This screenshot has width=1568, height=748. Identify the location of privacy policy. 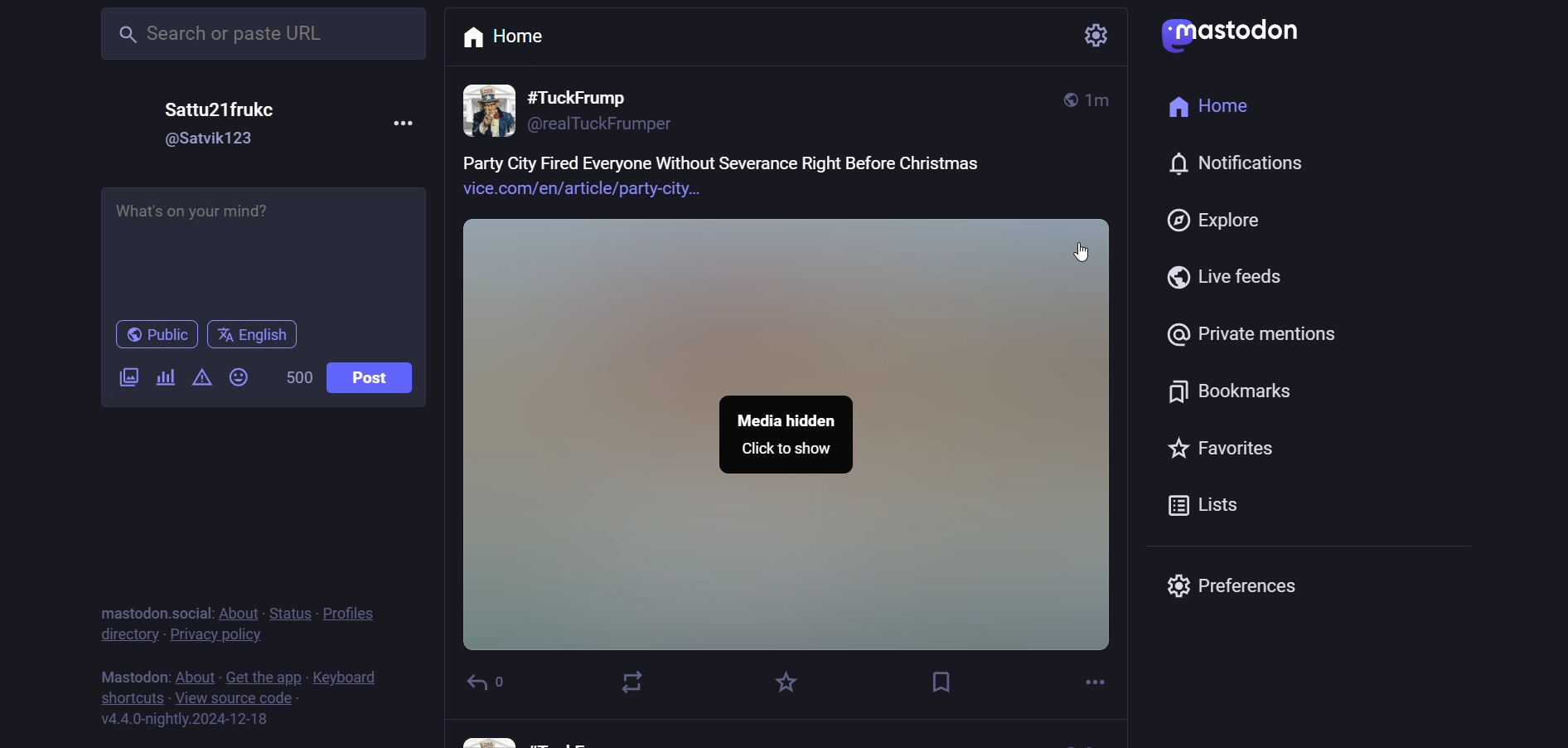
(227, 635).